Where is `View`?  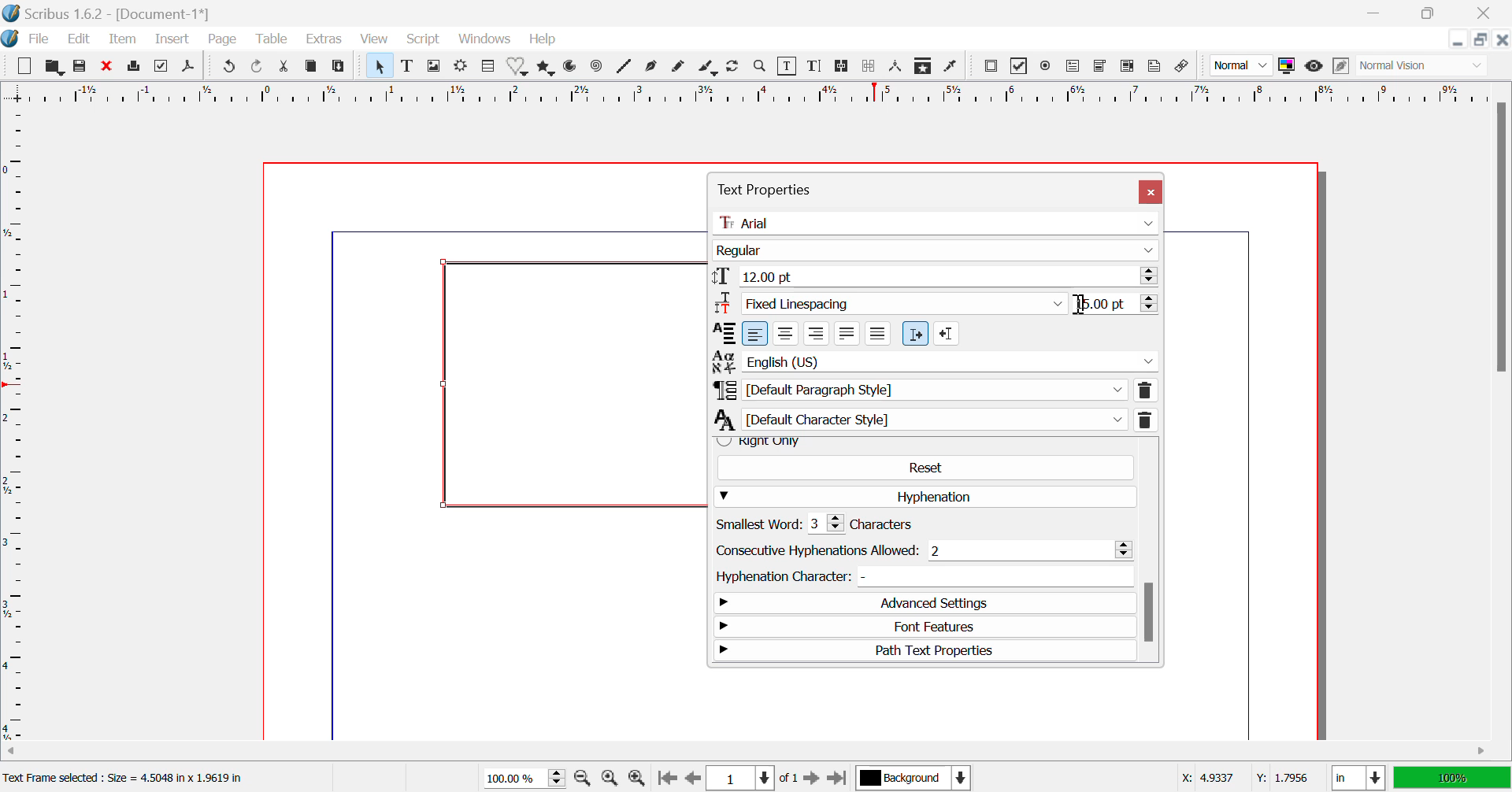
View is located at coordinates (375, 40).